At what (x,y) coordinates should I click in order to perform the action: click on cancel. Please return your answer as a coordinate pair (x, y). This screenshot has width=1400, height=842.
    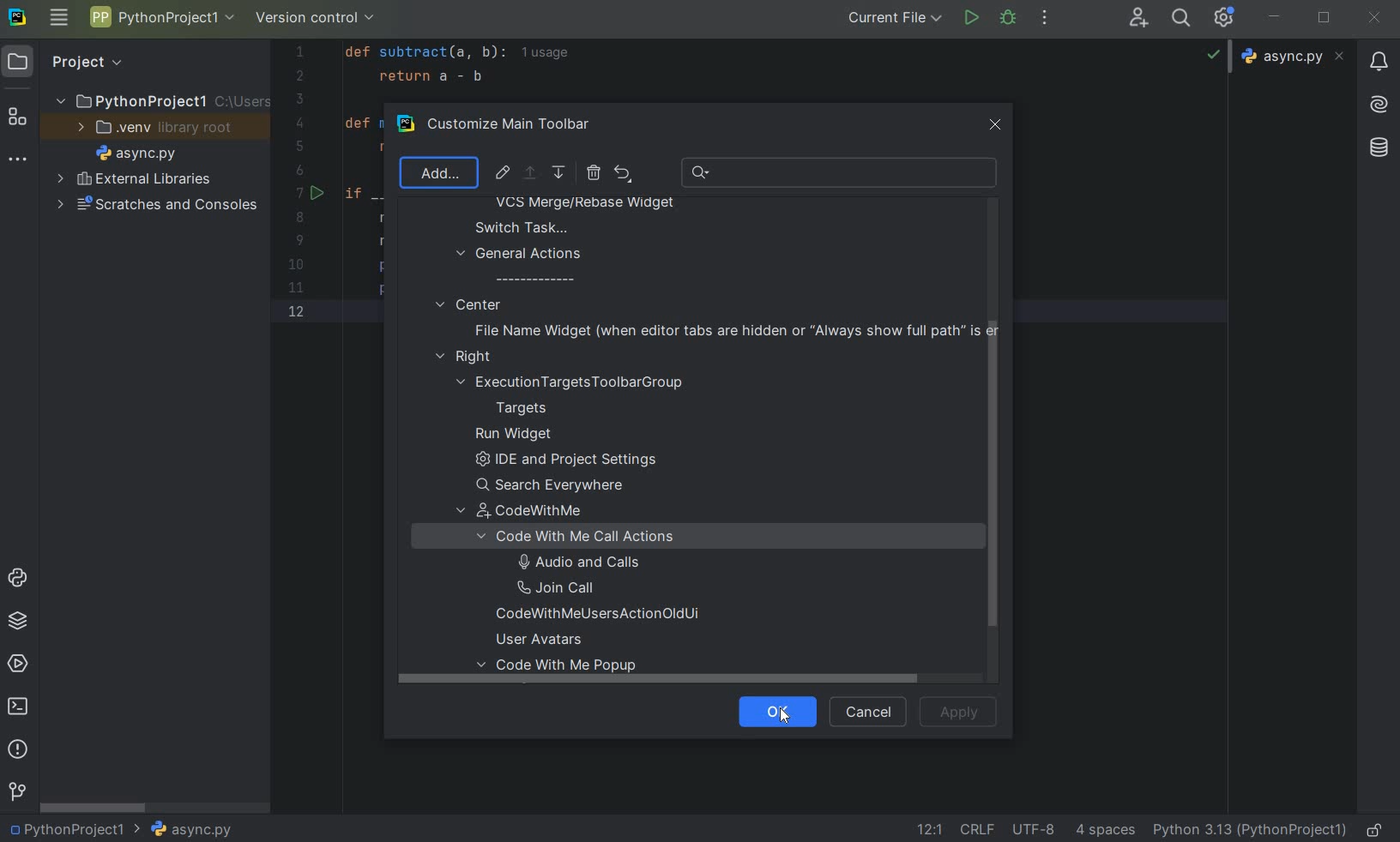
    Looking at the image, I should click on (865, 713).